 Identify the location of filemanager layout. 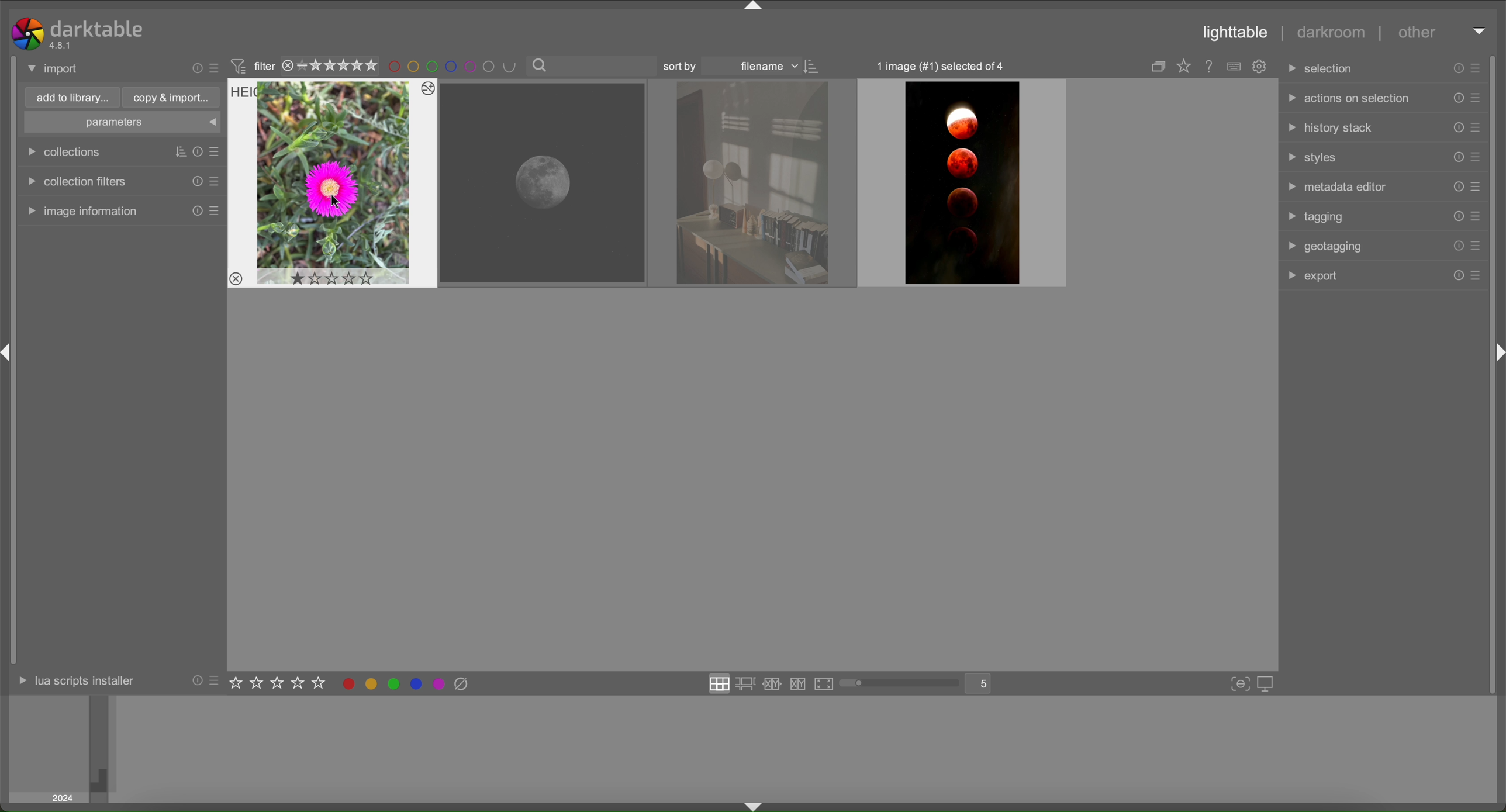
(720, 683).